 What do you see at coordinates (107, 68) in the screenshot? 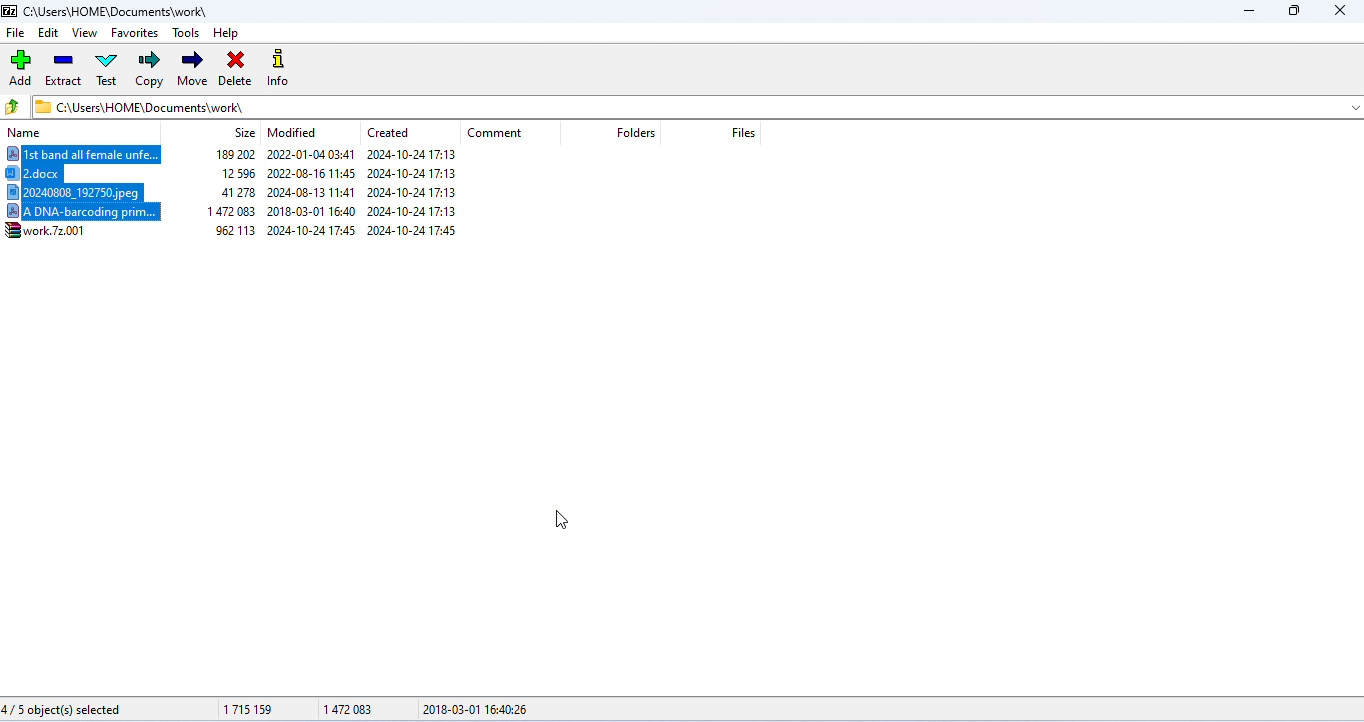
I see `test` at bounding box center [107, 68].